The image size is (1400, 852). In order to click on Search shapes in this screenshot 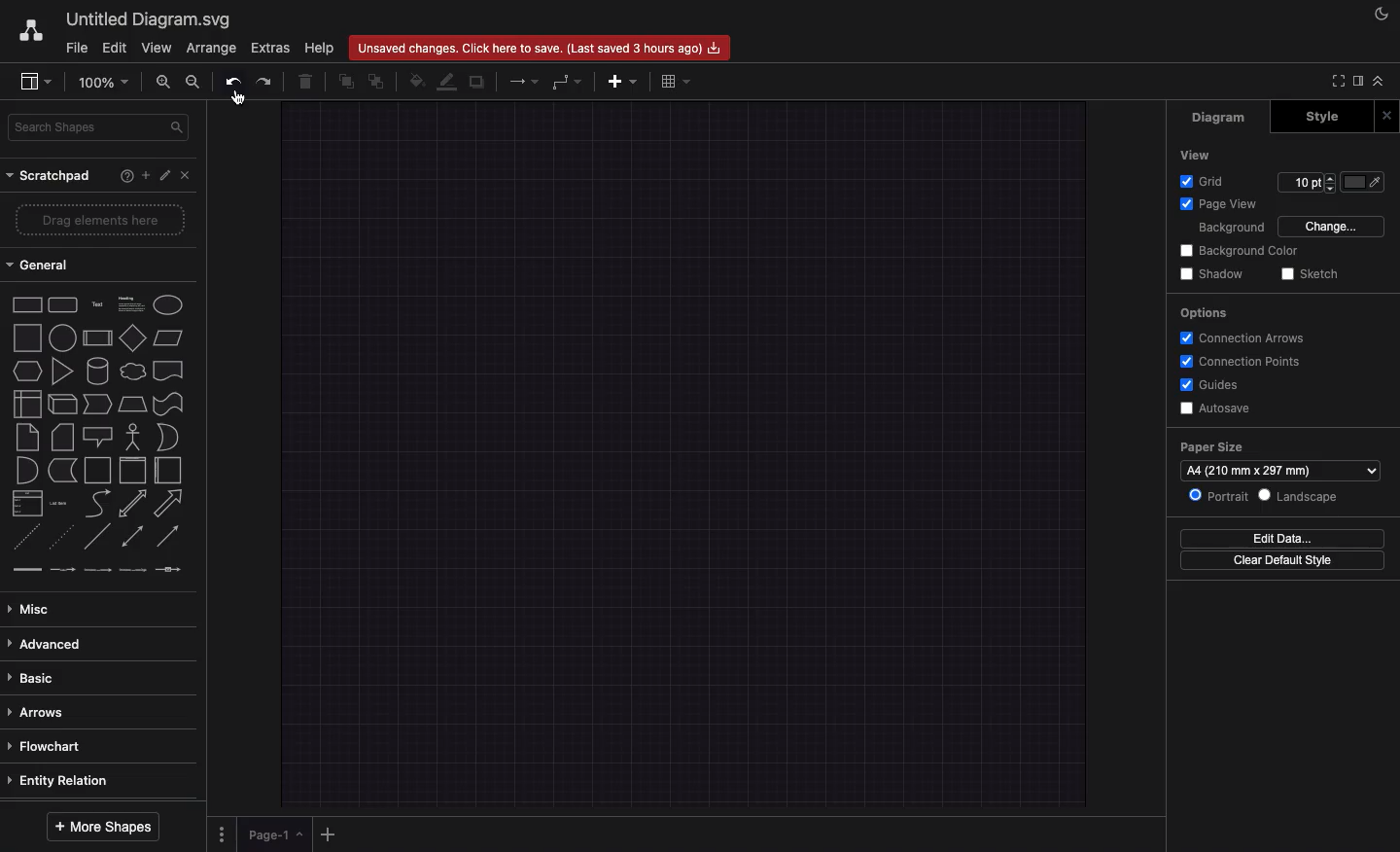, I will do `click(102, 128)`.